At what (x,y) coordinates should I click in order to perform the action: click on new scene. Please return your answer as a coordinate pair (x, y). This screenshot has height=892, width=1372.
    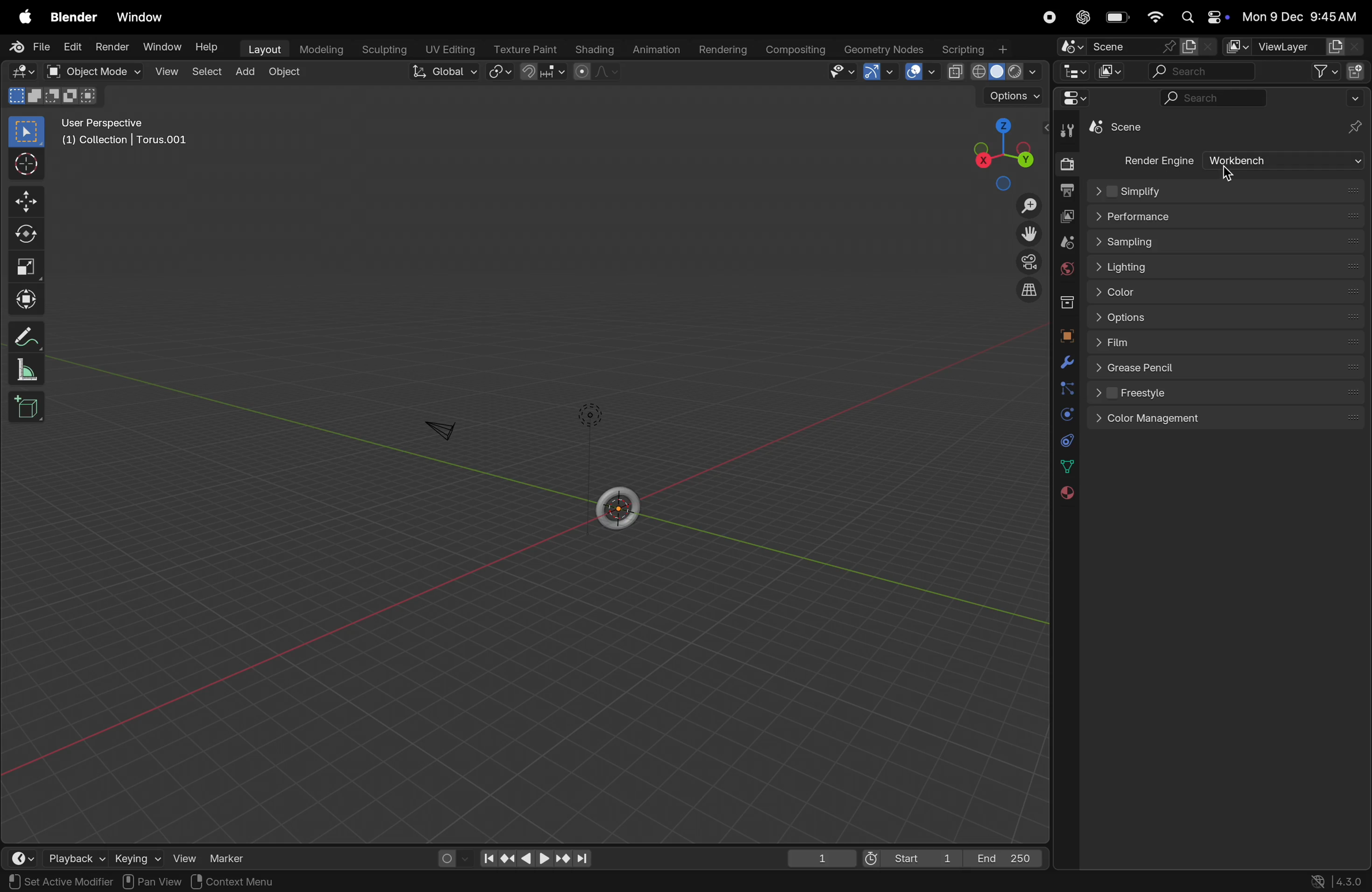
    Looking at the image, I should click on (1197, 46).